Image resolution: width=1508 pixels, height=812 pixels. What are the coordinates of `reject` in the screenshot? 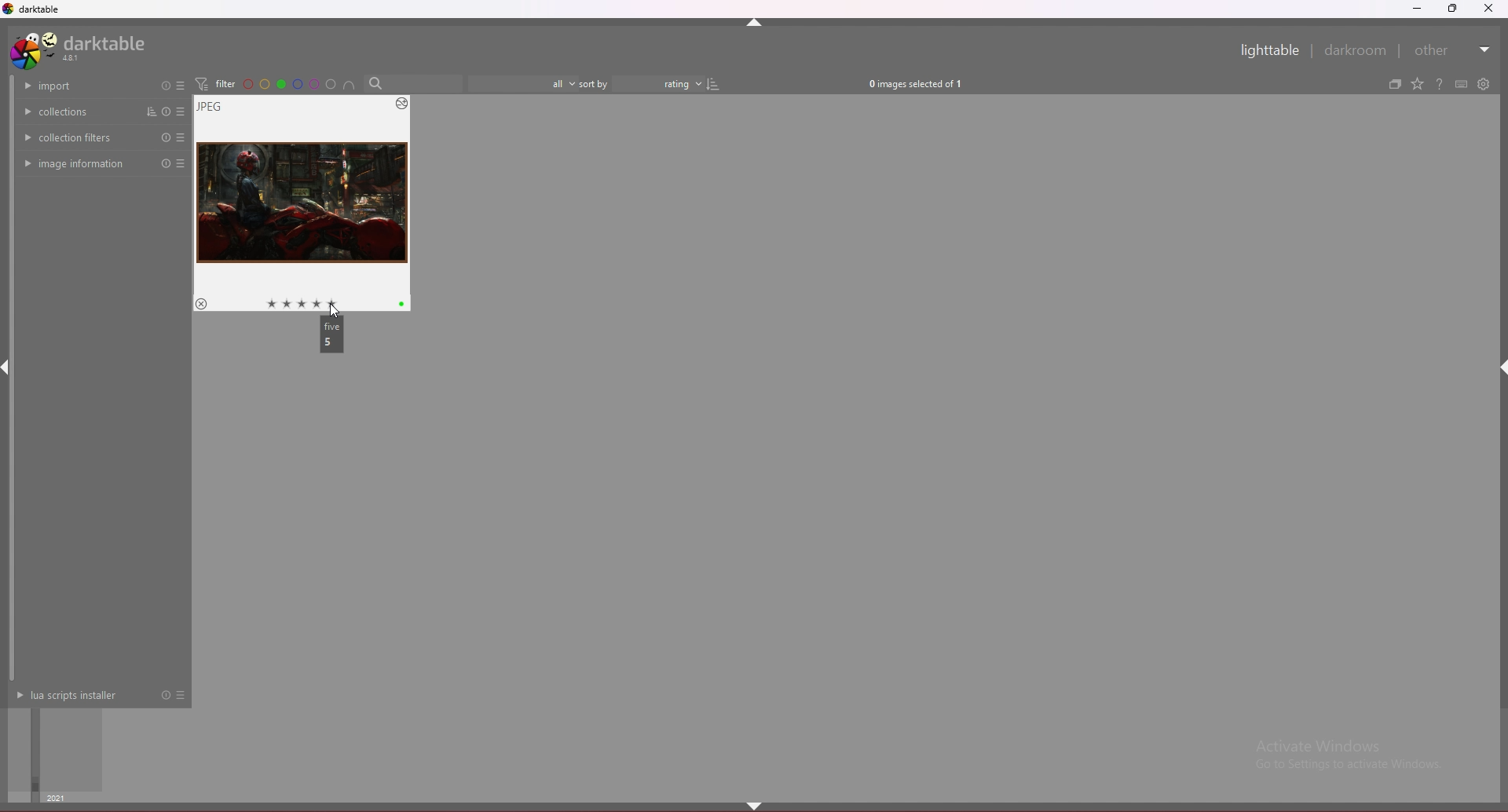 It's located at (202, 304).